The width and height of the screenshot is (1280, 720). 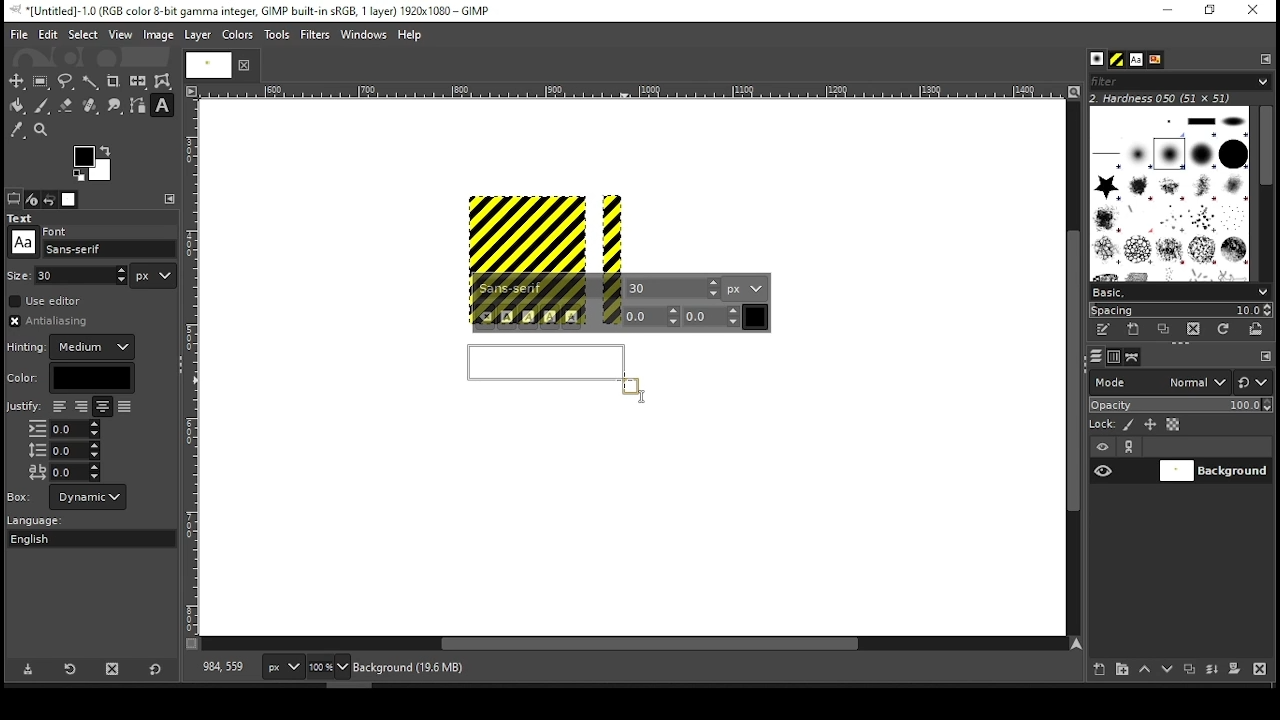 What do you see at coordinates (1136, 329) in the screenshot?
I see `create a new brush` at bounding box center [1136, 329].